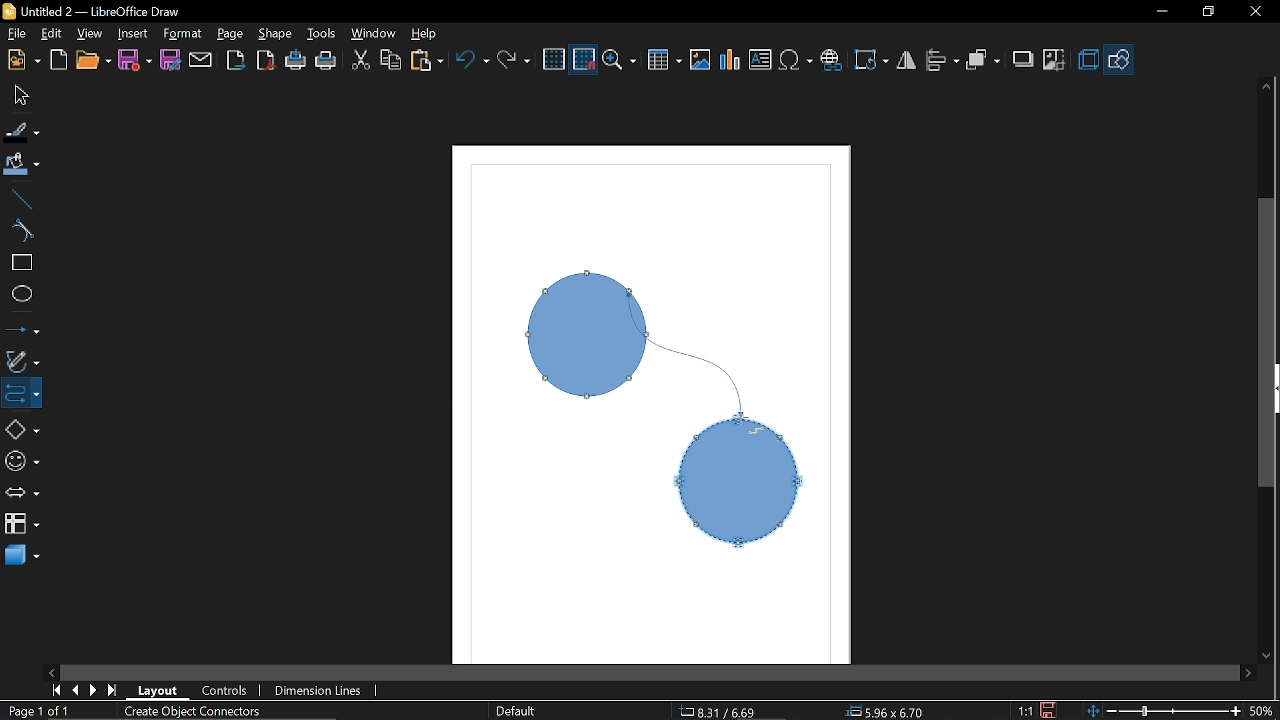 The width and height of the screenshot is (1280, 720). I want to click on Basic shapes, so click(21, 427).